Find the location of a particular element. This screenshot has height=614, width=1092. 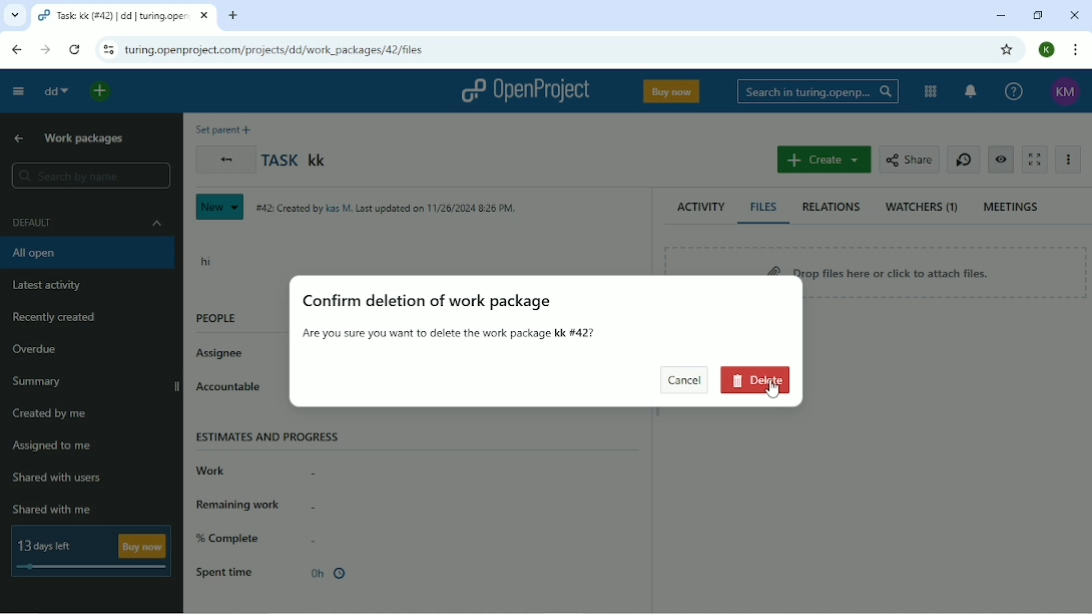

Summary is located at coordinates (37, 382).